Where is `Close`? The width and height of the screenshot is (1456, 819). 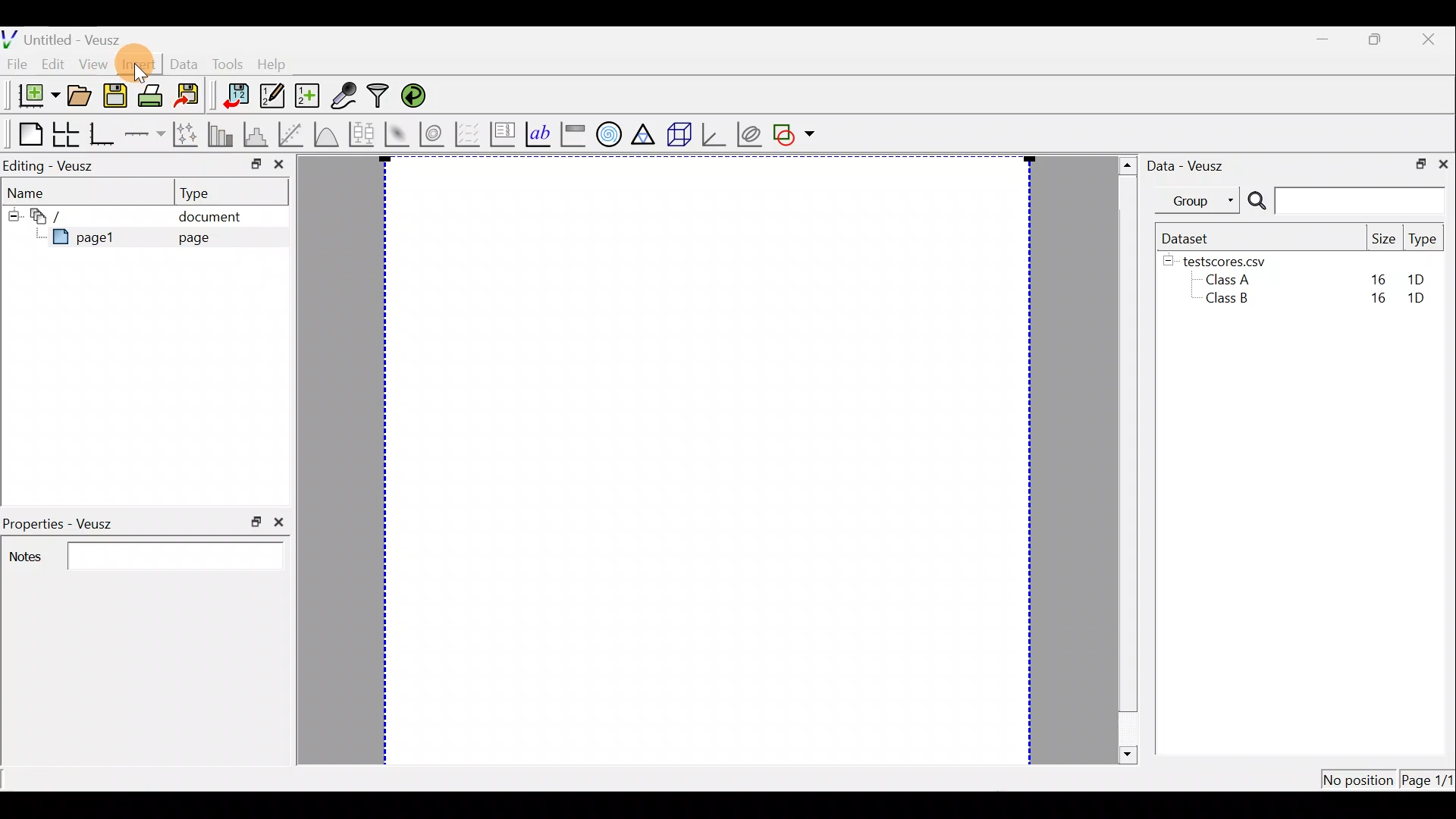 Close is located at coordinates (1432, 38).